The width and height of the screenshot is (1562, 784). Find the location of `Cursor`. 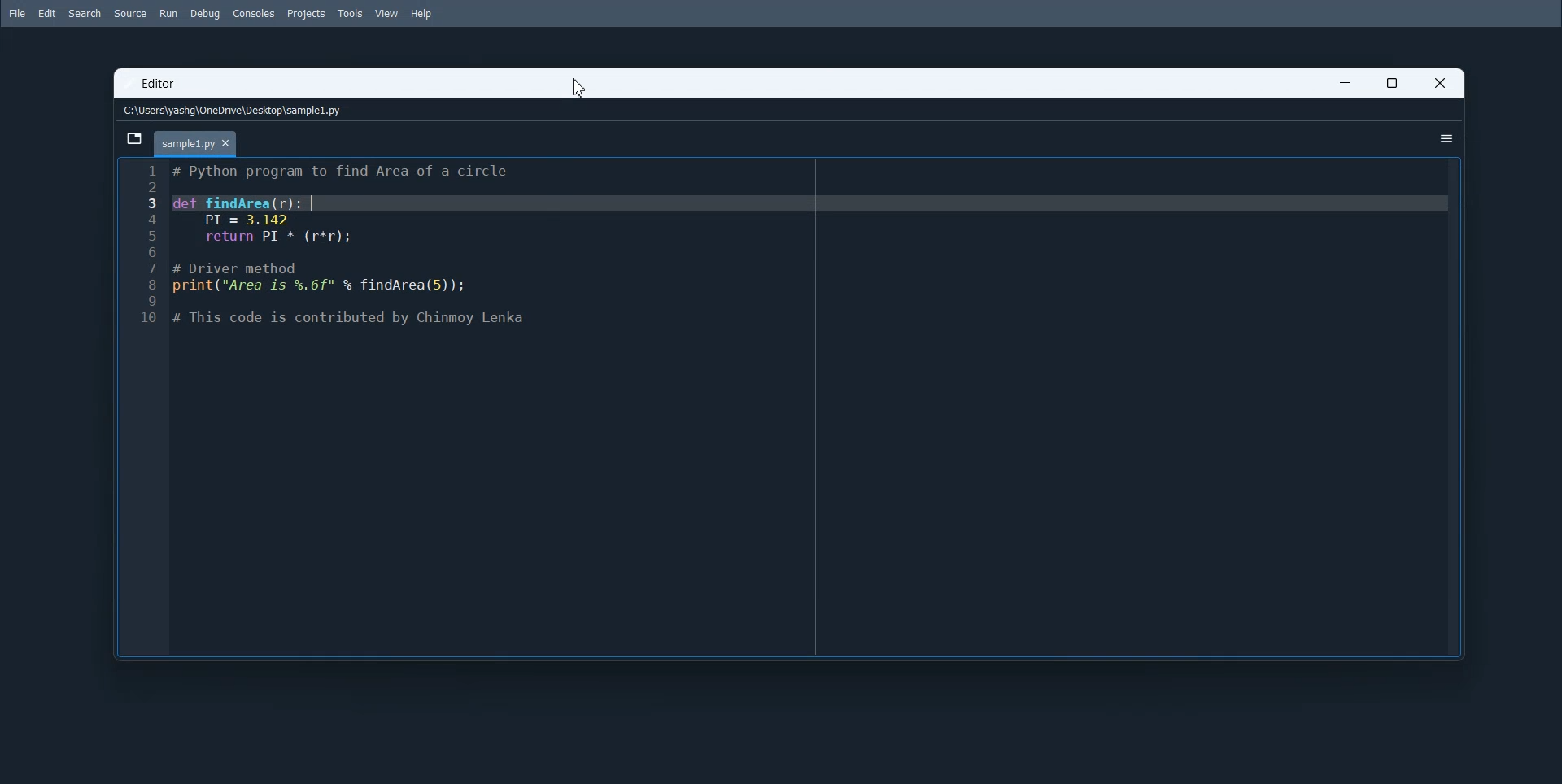

Cursor is located at coordinates (581, 88).